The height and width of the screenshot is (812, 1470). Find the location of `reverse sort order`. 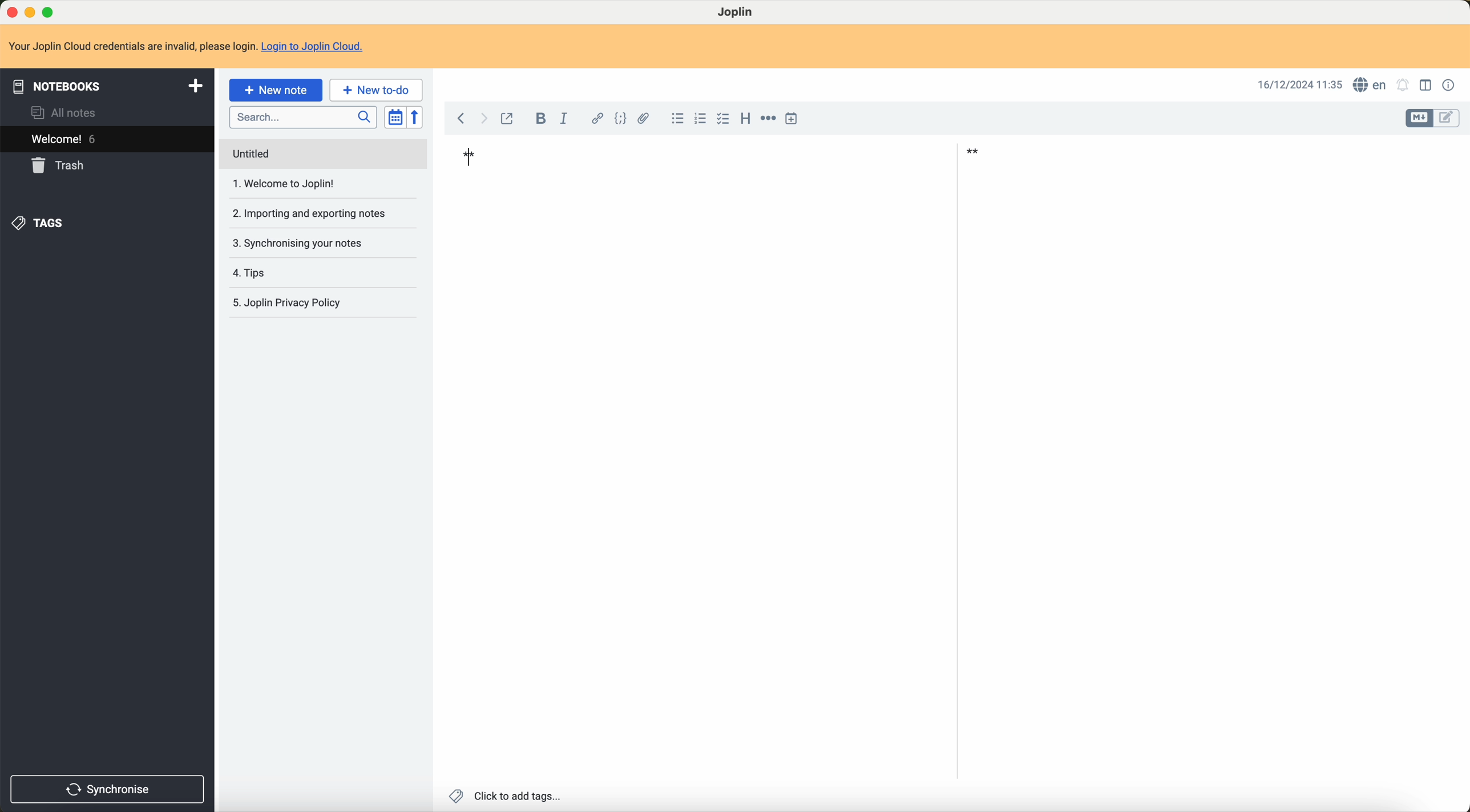

reverse sort order is located at coordinates (416, 117).